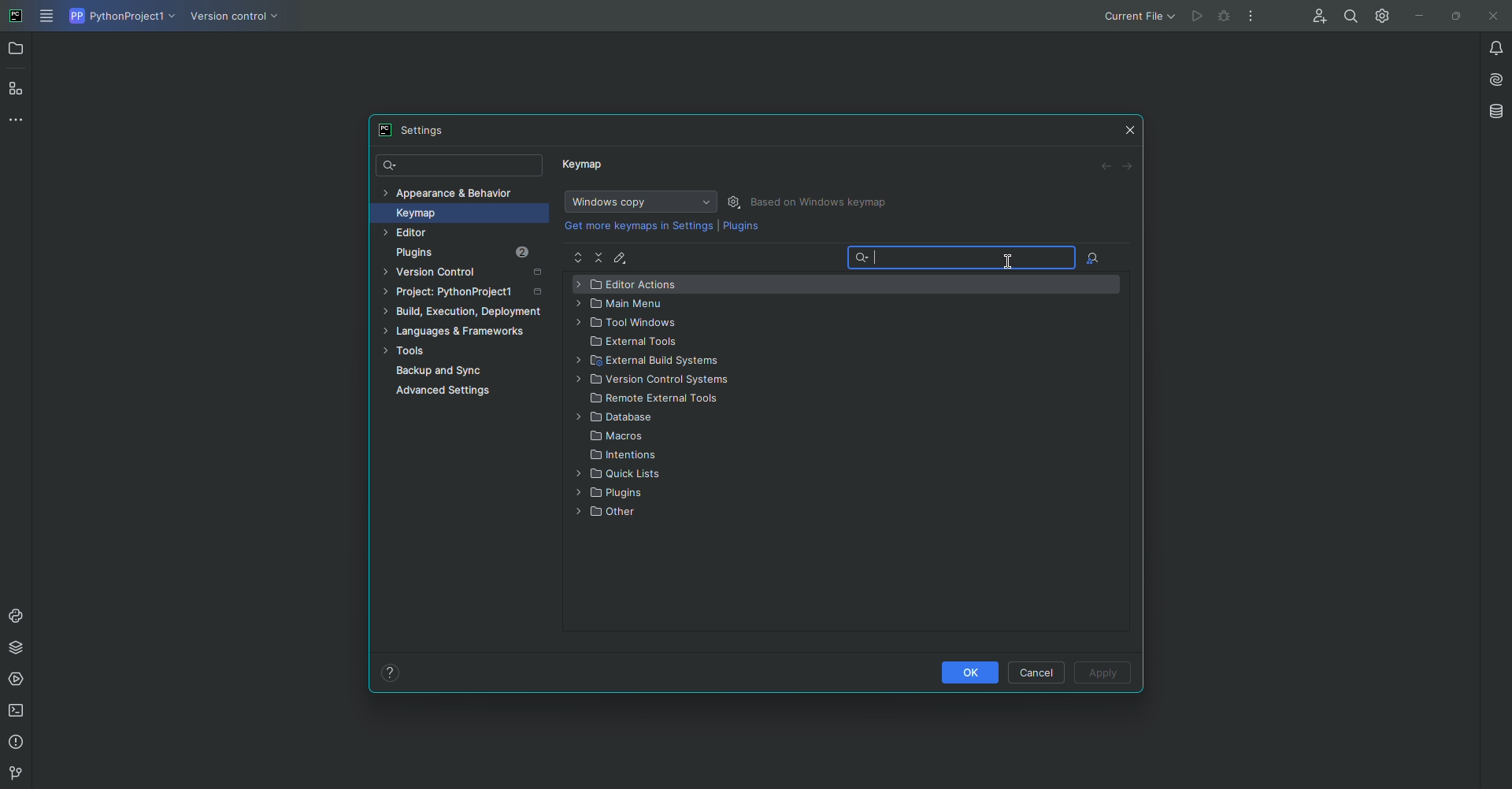  What do you see at coordinates (13, 774) in the screenshot?
I see `version Control` at bounding box center [13, 774].